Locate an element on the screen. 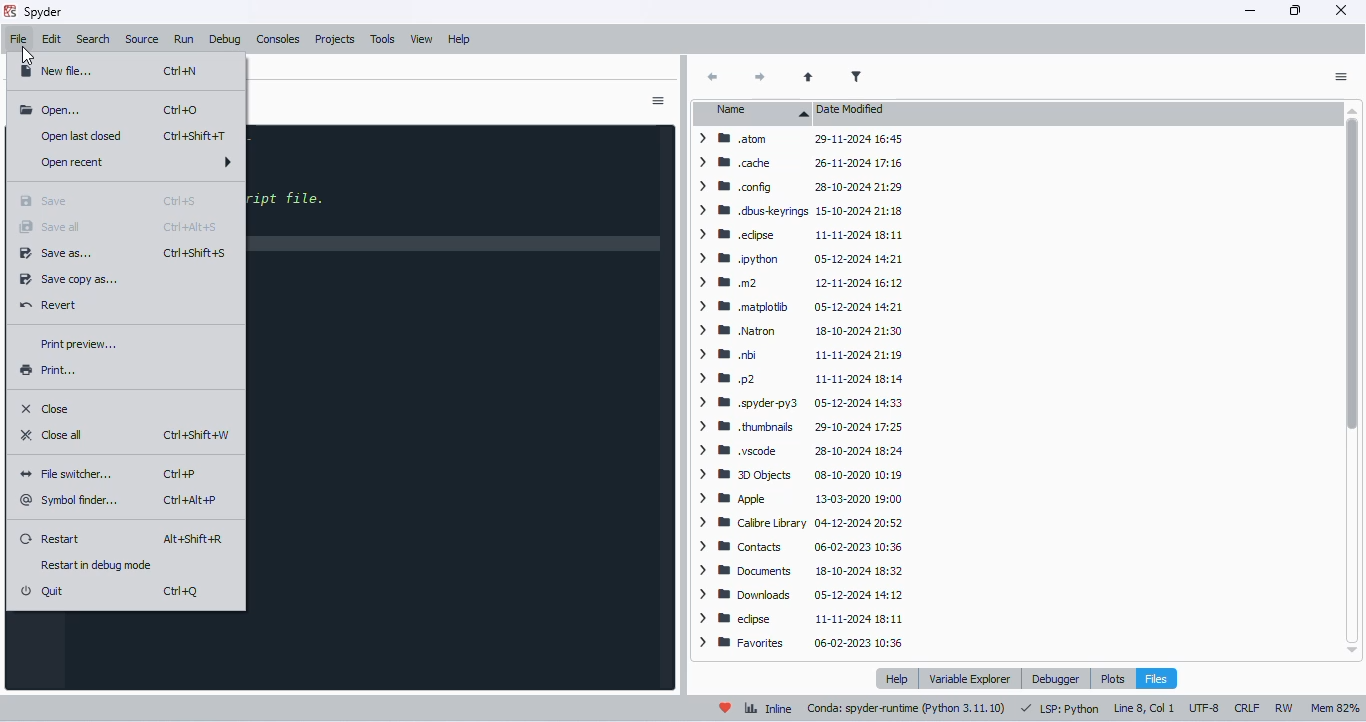  date modified is located at coordinates (853, 110).